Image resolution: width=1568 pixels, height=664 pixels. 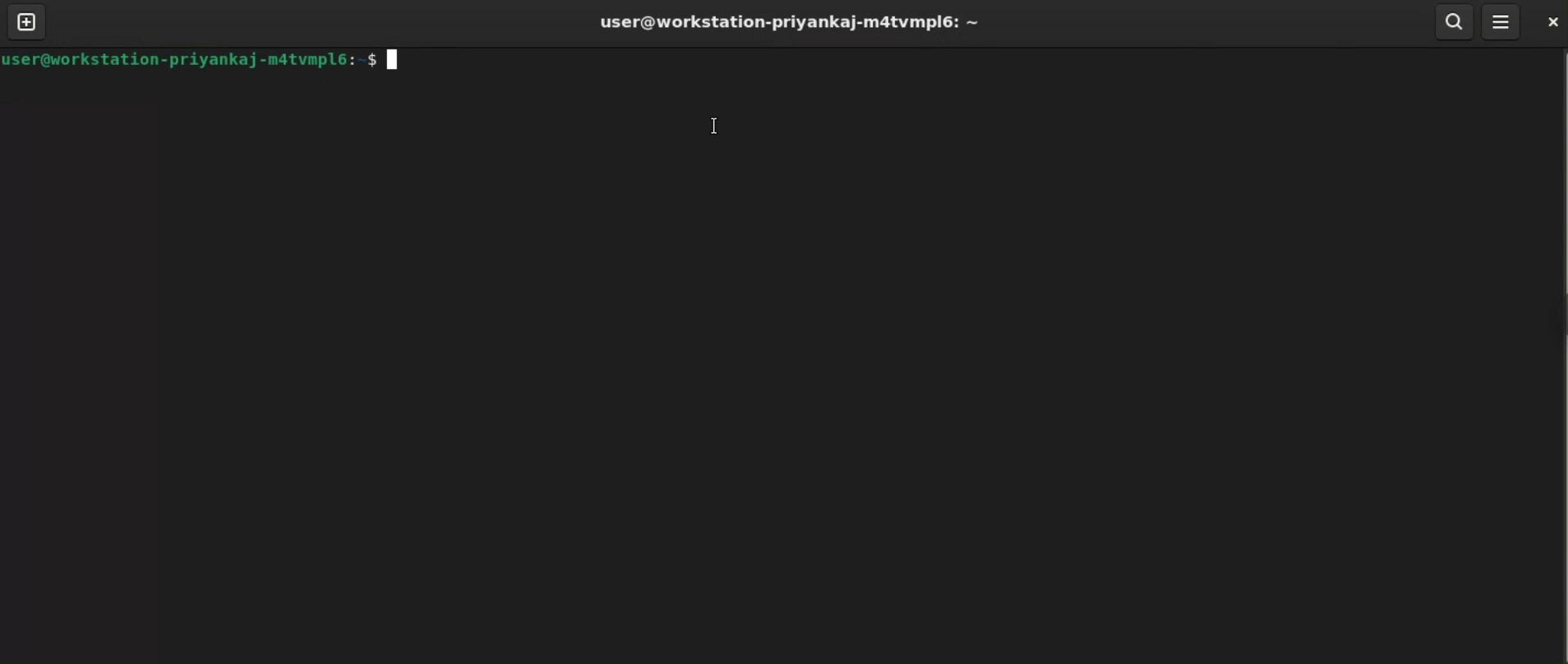 I want to click on user@workstation-priyankaj-m4tvmpl6: $, so click(x=201, y=58).